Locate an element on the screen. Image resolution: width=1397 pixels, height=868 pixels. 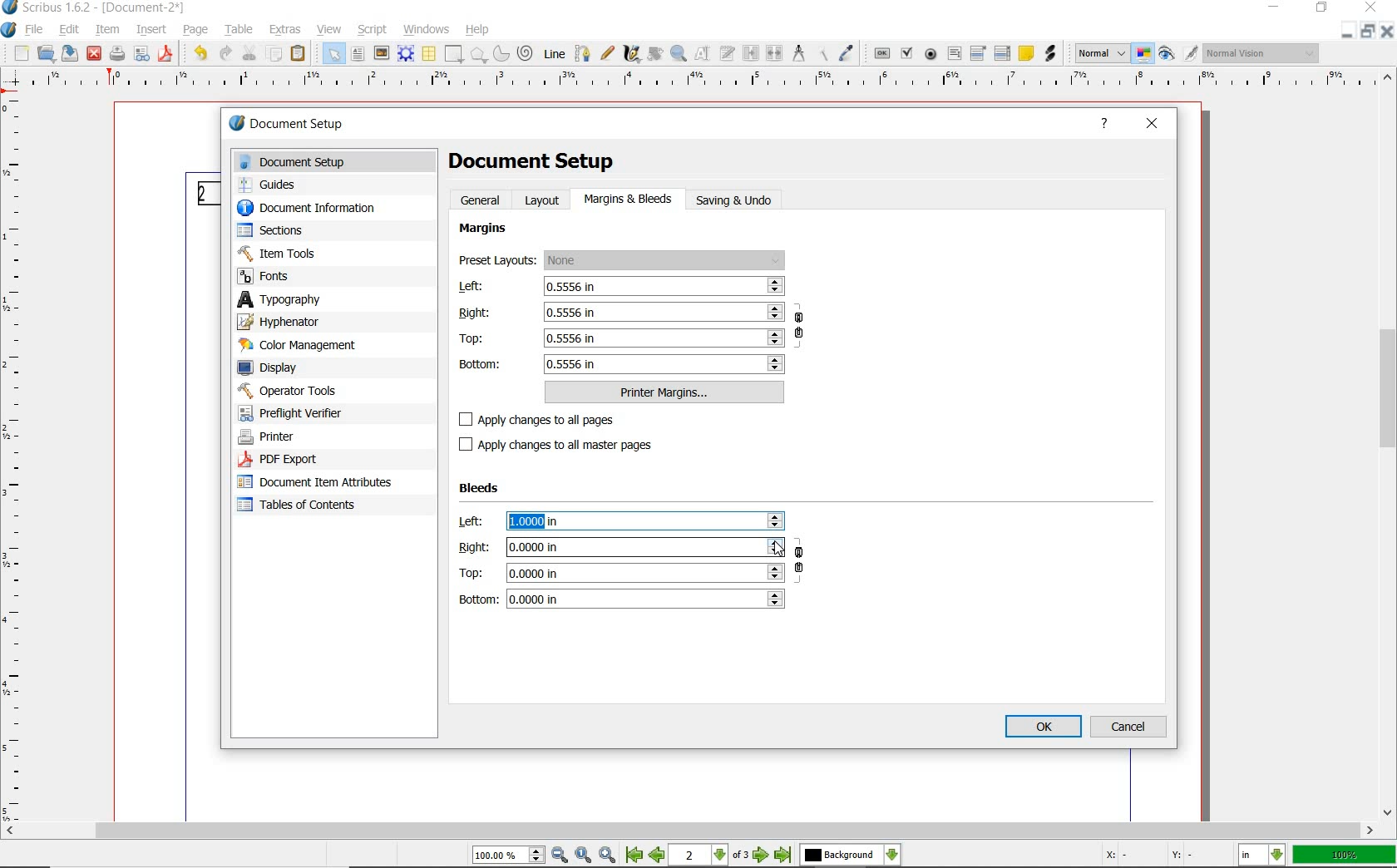
restore is located at coordinates (1321, 9).